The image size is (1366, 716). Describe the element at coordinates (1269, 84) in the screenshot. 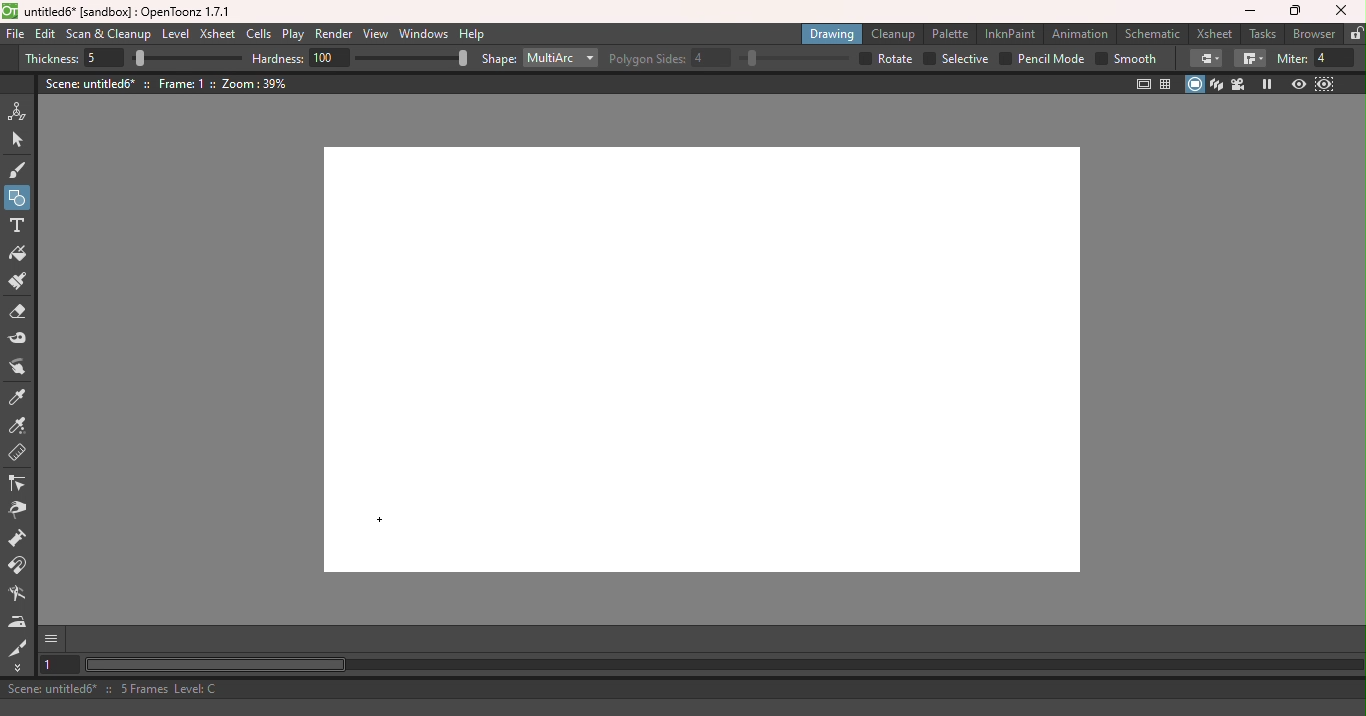

I see `Freeze` at that location.